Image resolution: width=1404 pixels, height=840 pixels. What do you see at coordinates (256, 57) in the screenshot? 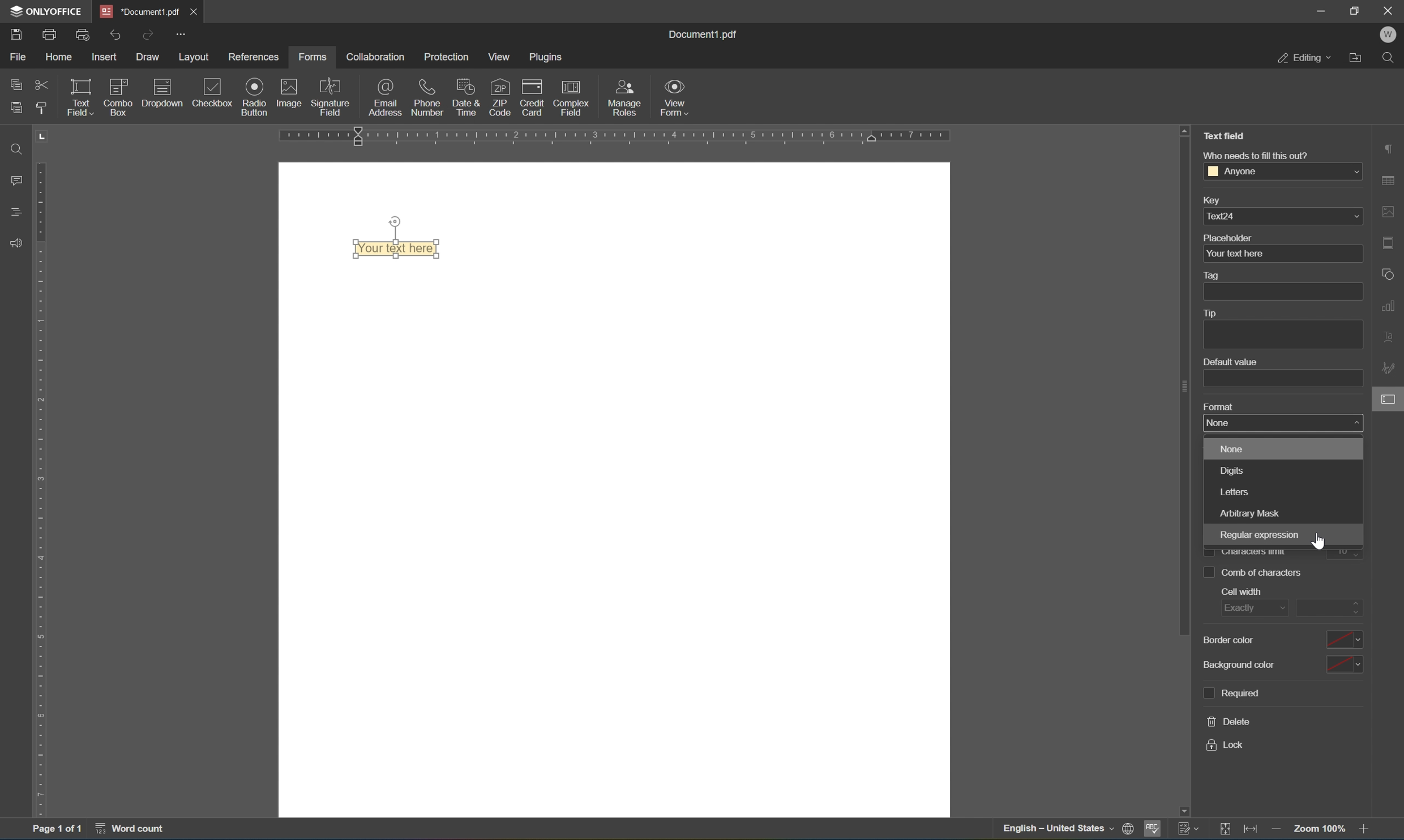
I see `references` at bounding box center [256, 57].